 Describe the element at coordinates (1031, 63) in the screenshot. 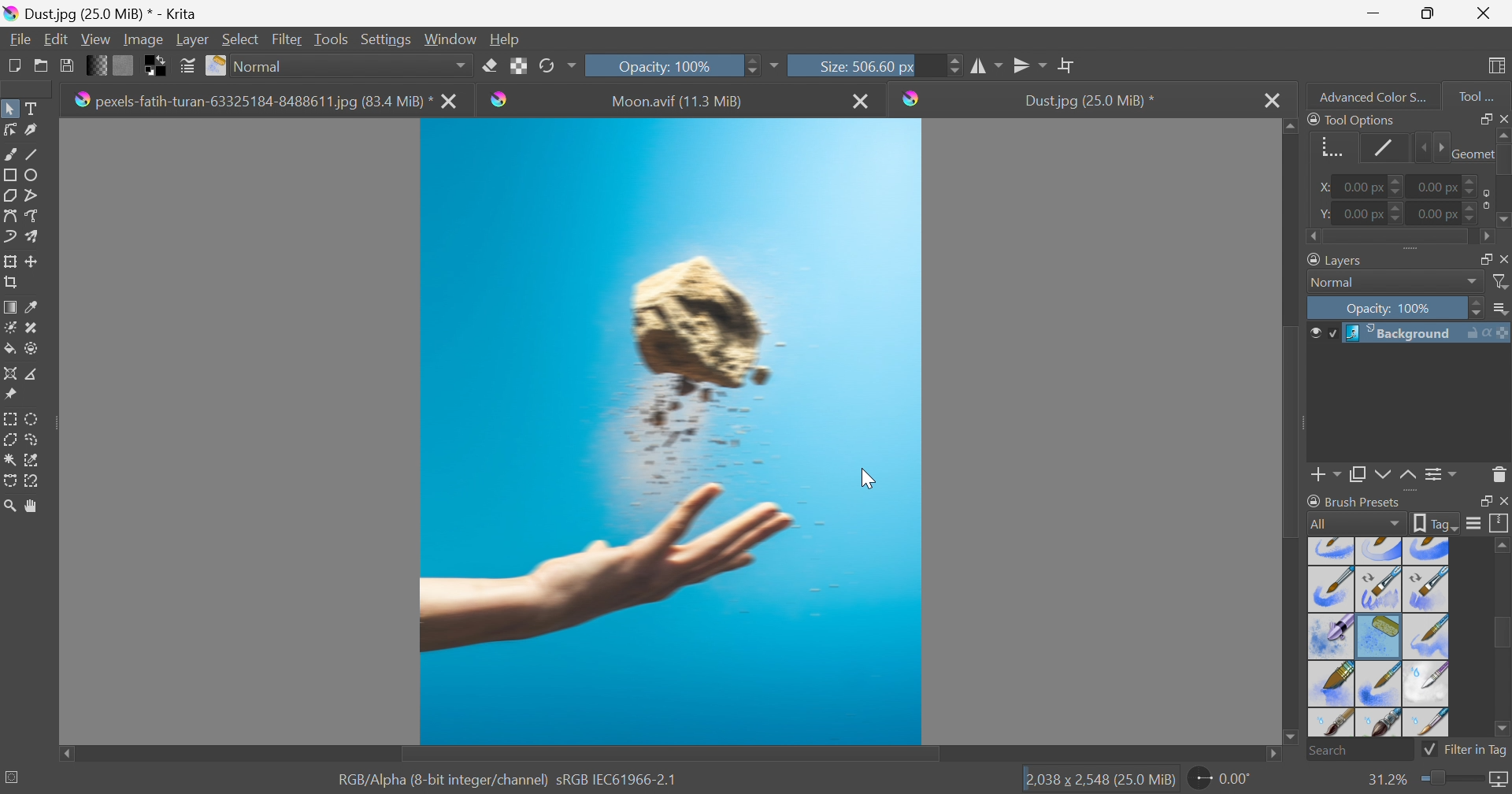

I see `Horizontal mirror tool` at that location.